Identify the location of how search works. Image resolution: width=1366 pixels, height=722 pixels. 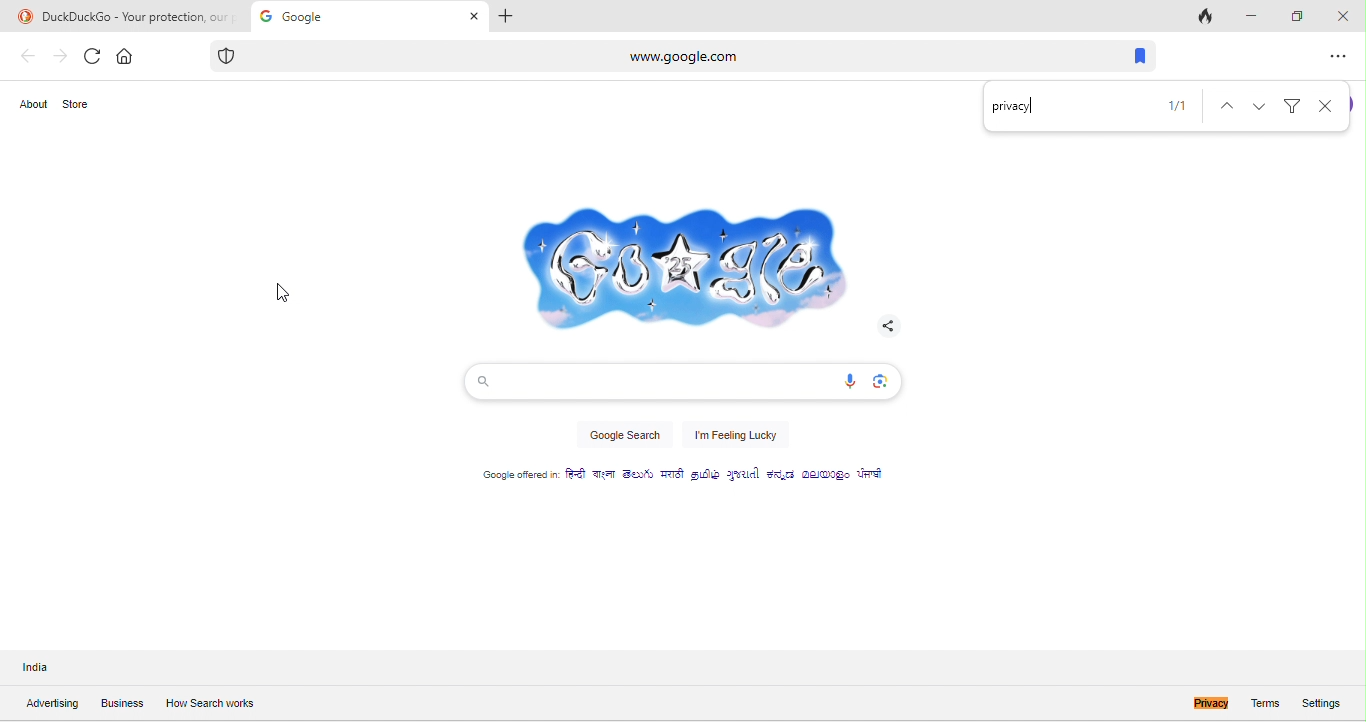
(209, 702).